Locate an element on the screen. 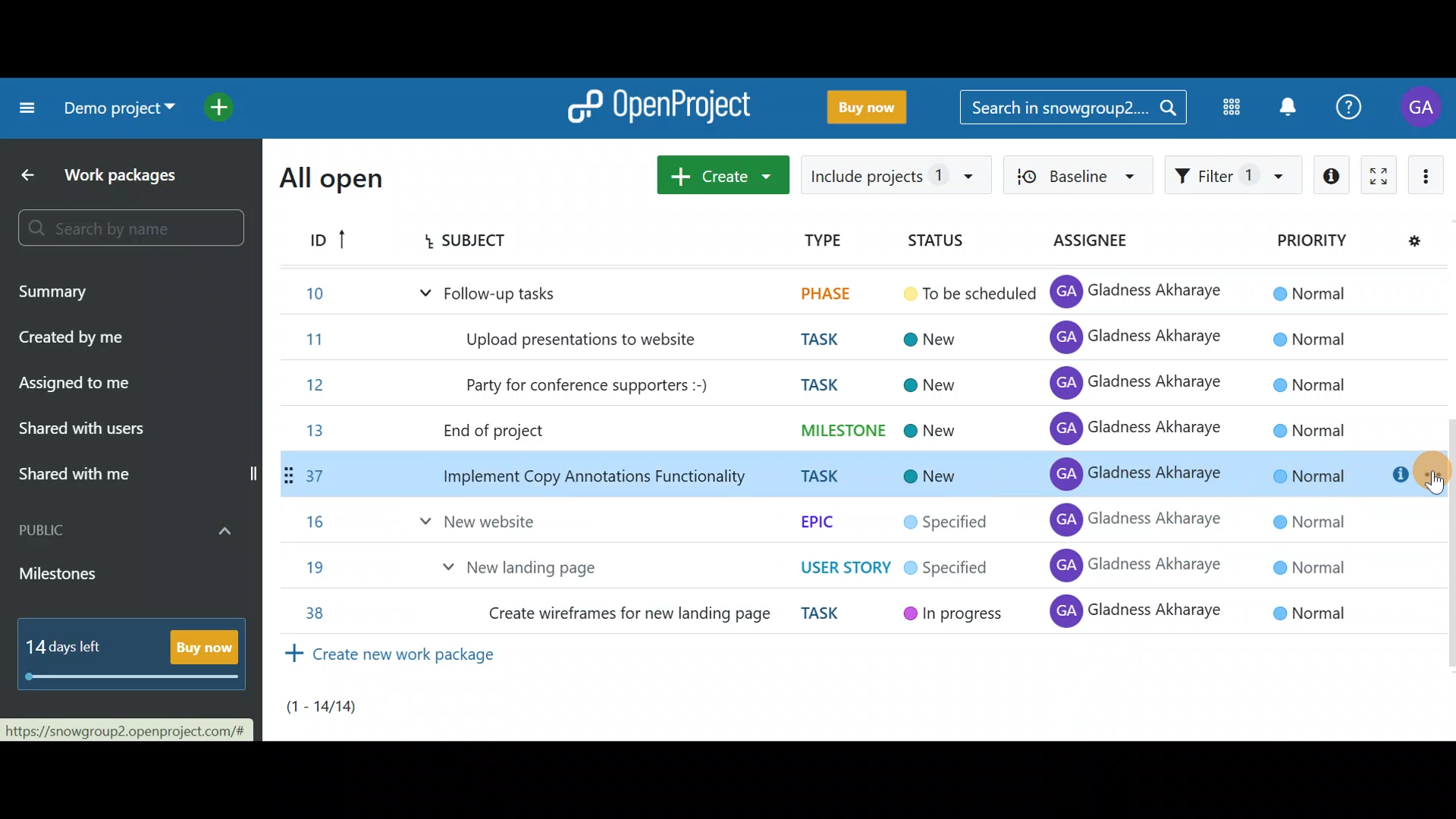  Subject is located at coordinates (482, 242).